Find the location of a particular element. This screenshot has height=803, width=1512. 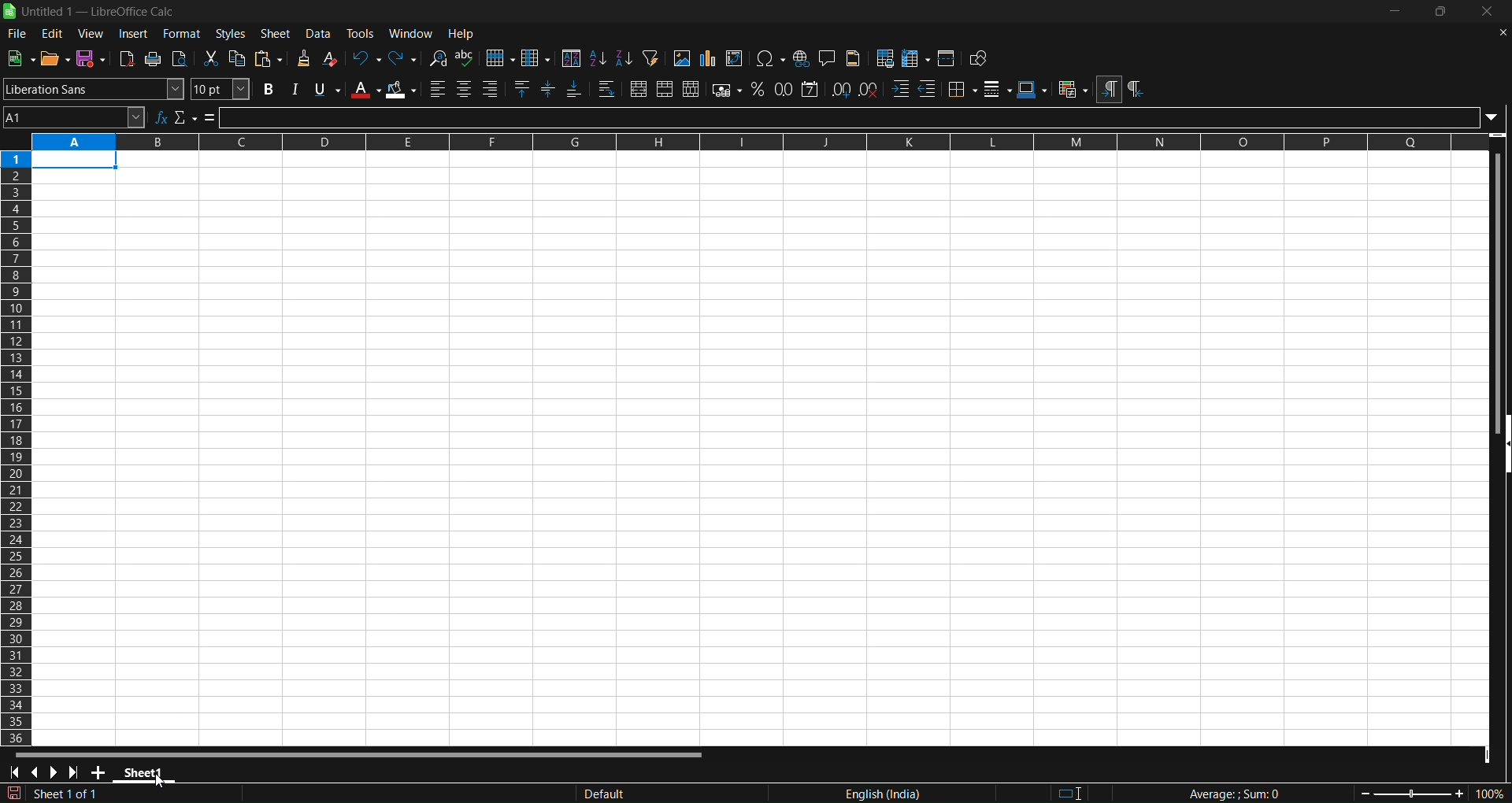

window is located at coordinates (414, 33).